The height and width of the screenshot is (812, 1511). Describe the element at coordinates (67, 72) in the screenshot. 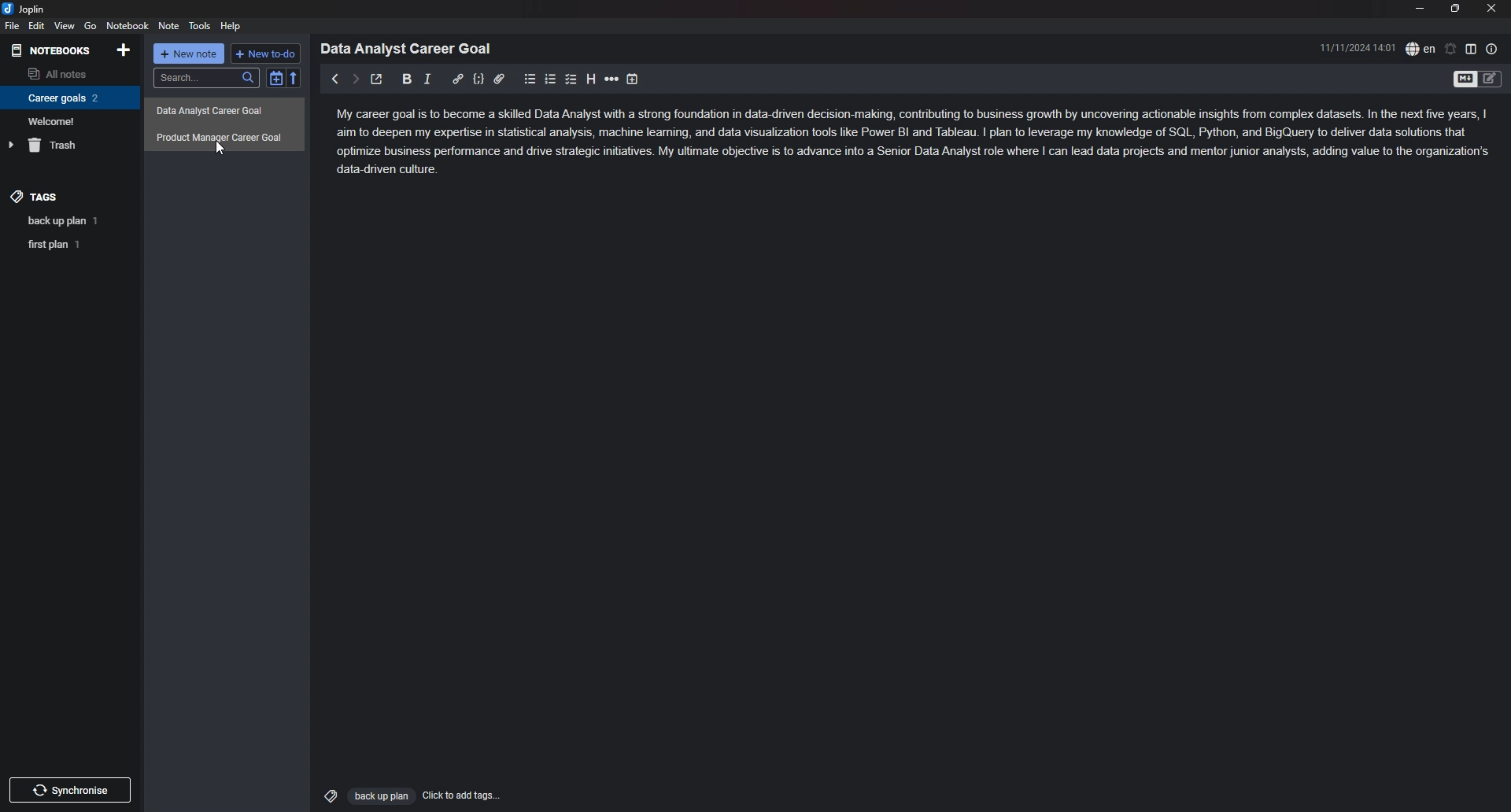

I see `all notes` at that location.